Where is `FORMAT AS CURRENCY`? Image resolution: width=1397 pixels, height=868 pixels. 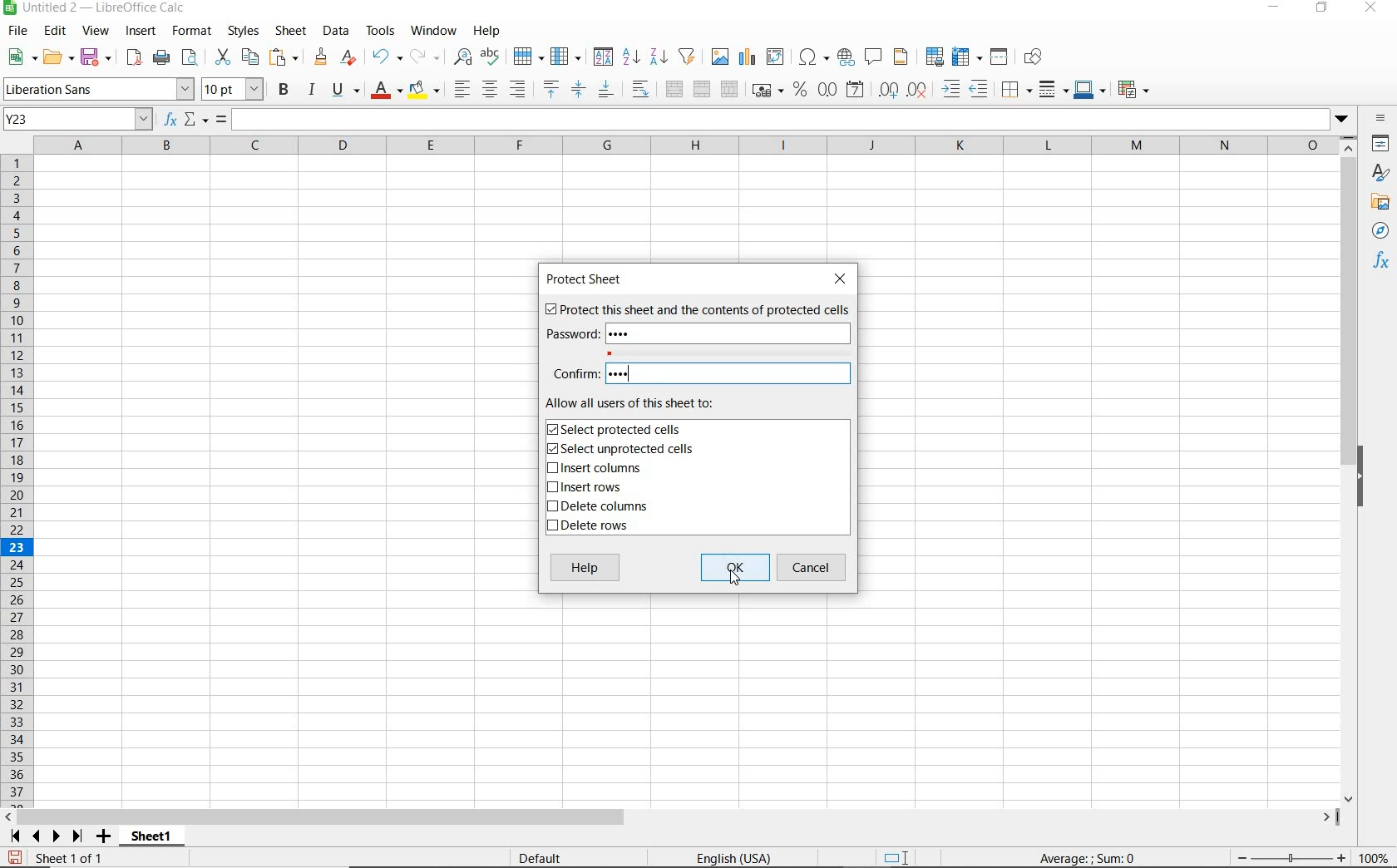
FORMAT AS CURRENCY is located at coordinates (766, 92).